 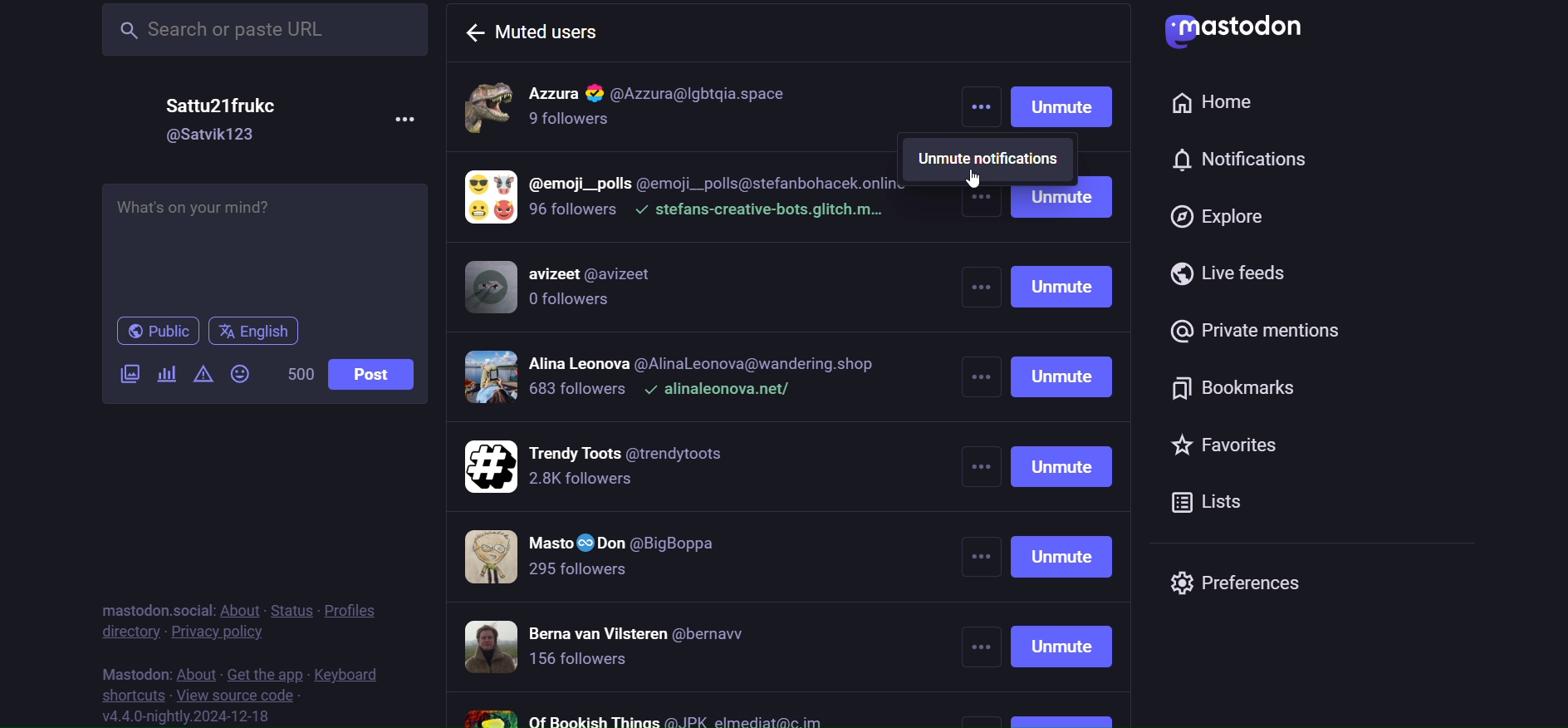 What do you see at coordinates (130, 373) in the screenshot?
I see `image/video` at bounding box center [130, 373].